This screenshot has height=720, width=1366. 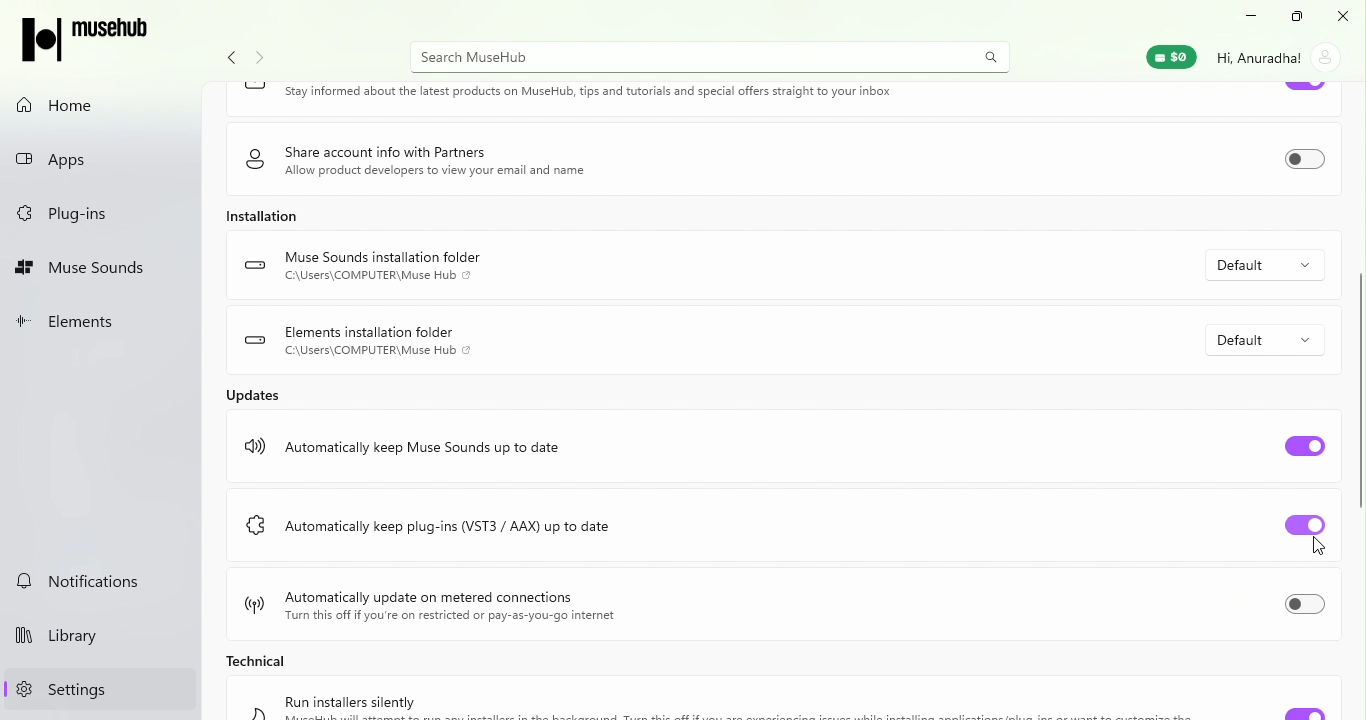 What do you see at coordinates (1357, 391) in the screenshot?
I see `scroll bar` at bounding box center [1357, 391].